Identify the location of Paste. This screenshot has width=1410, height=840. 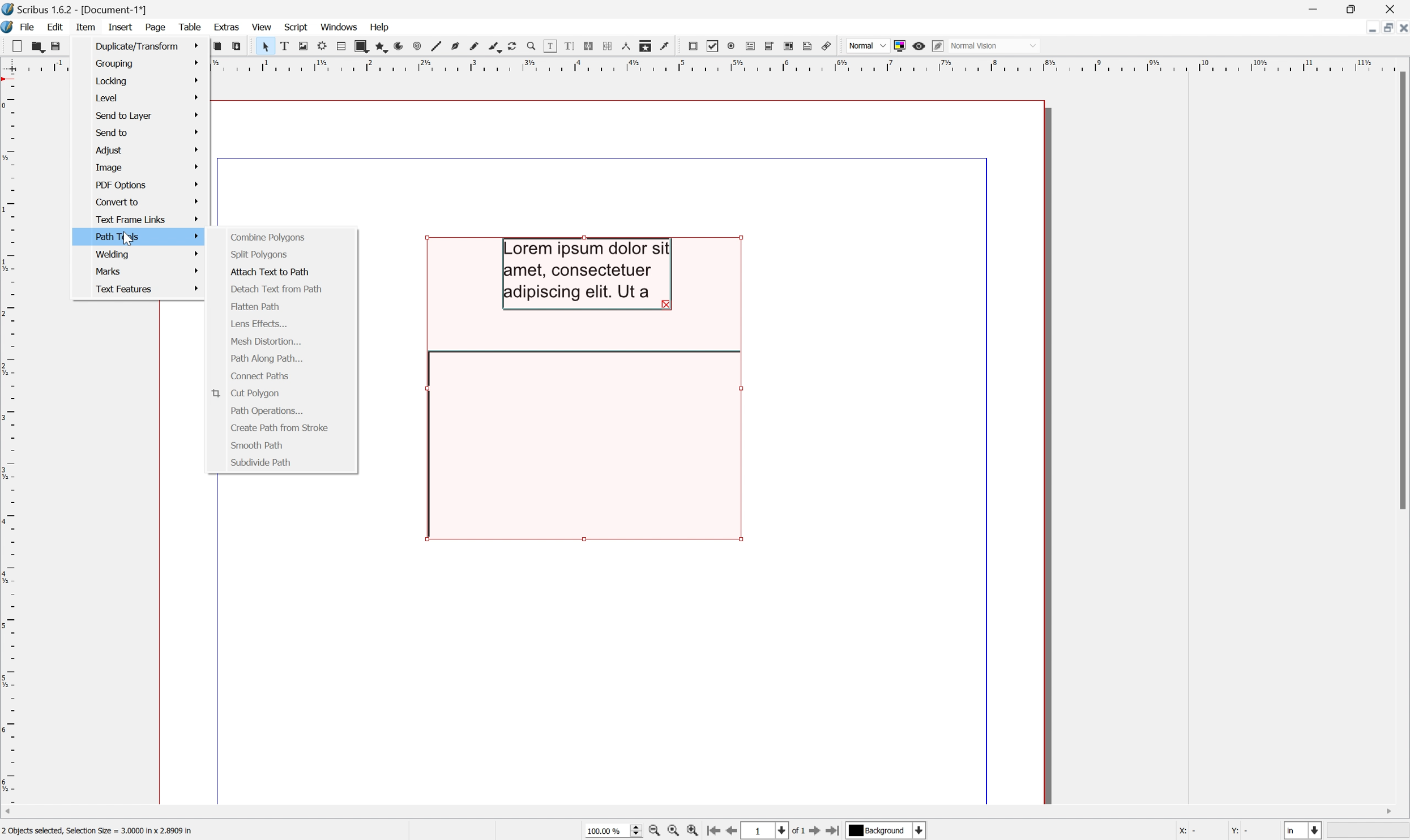
(237, 46).